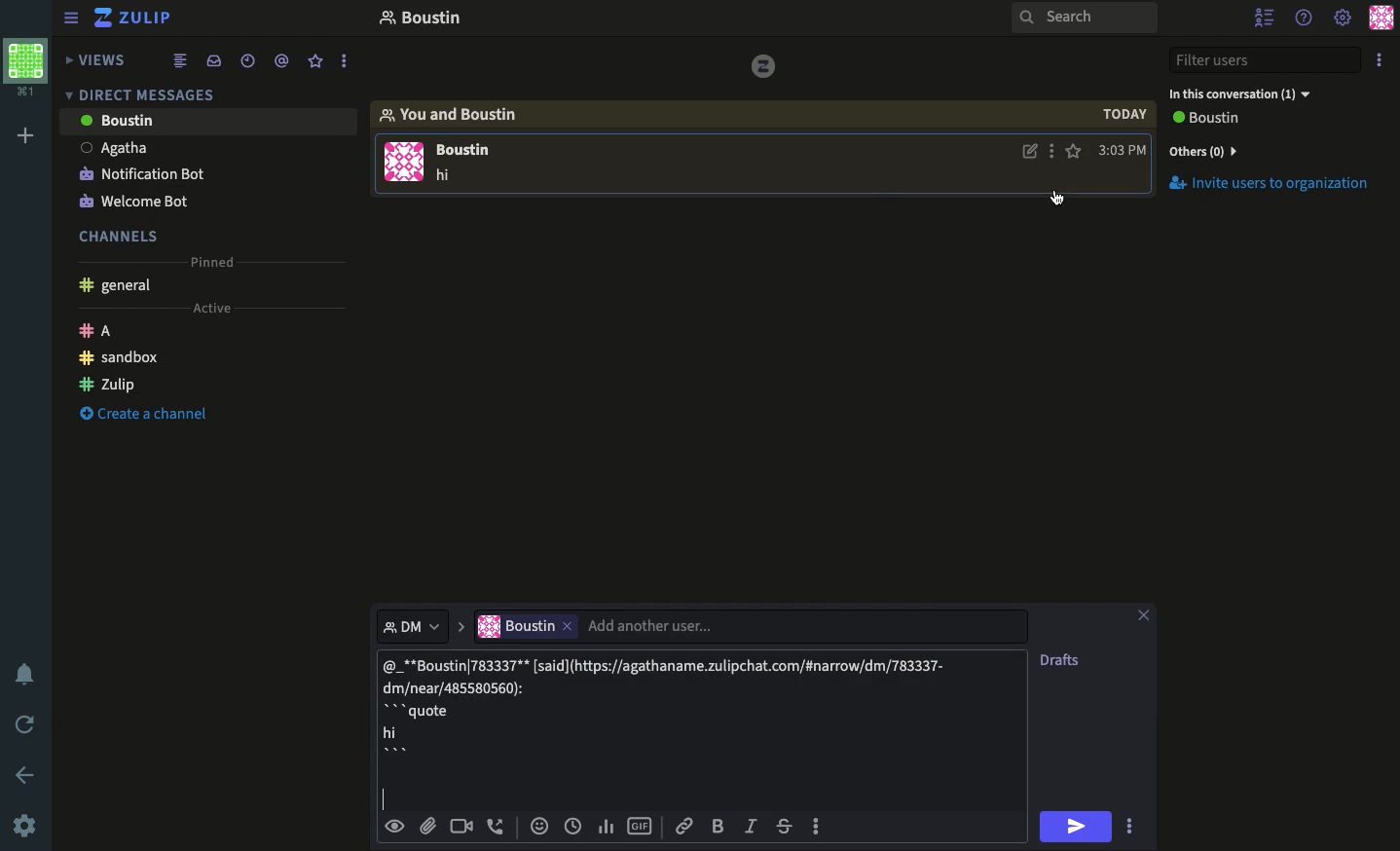 The height and width of the screenshot is (851, 1400). I want to click on Pinned, so click(215, 261).